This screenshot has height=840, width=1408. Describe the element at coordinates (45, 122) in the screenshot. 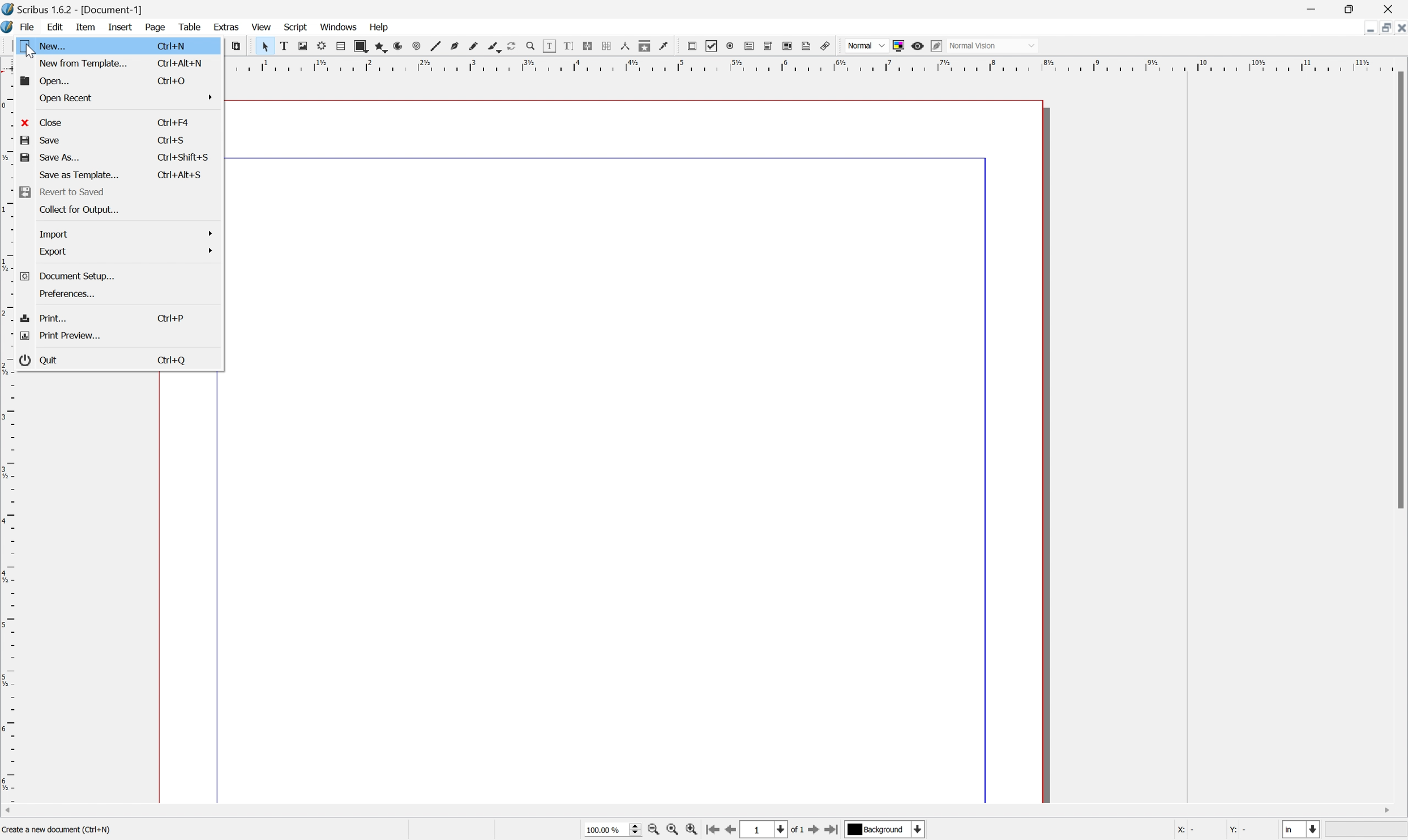

I see `close` at that location.